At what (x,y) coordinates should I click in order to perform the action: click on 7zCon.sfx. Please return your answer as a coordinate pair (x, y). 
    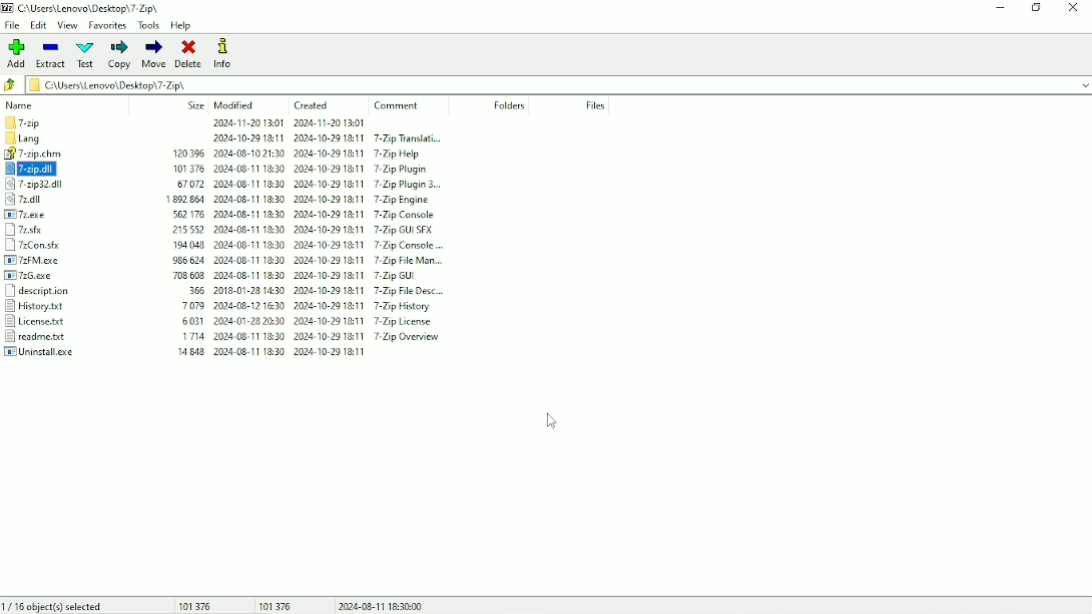
    Looking at the image, I should click on (44, 245).